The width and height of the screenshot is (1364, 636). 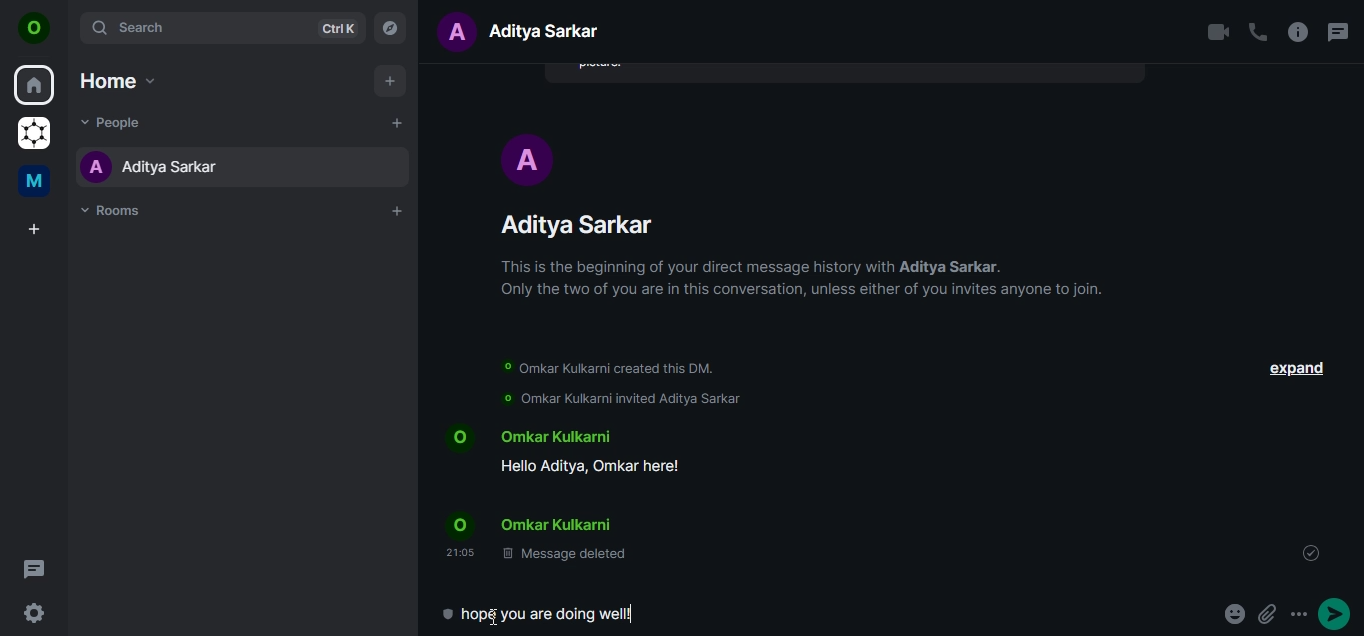 I want to click on create a space, so click(x=36, y=229).